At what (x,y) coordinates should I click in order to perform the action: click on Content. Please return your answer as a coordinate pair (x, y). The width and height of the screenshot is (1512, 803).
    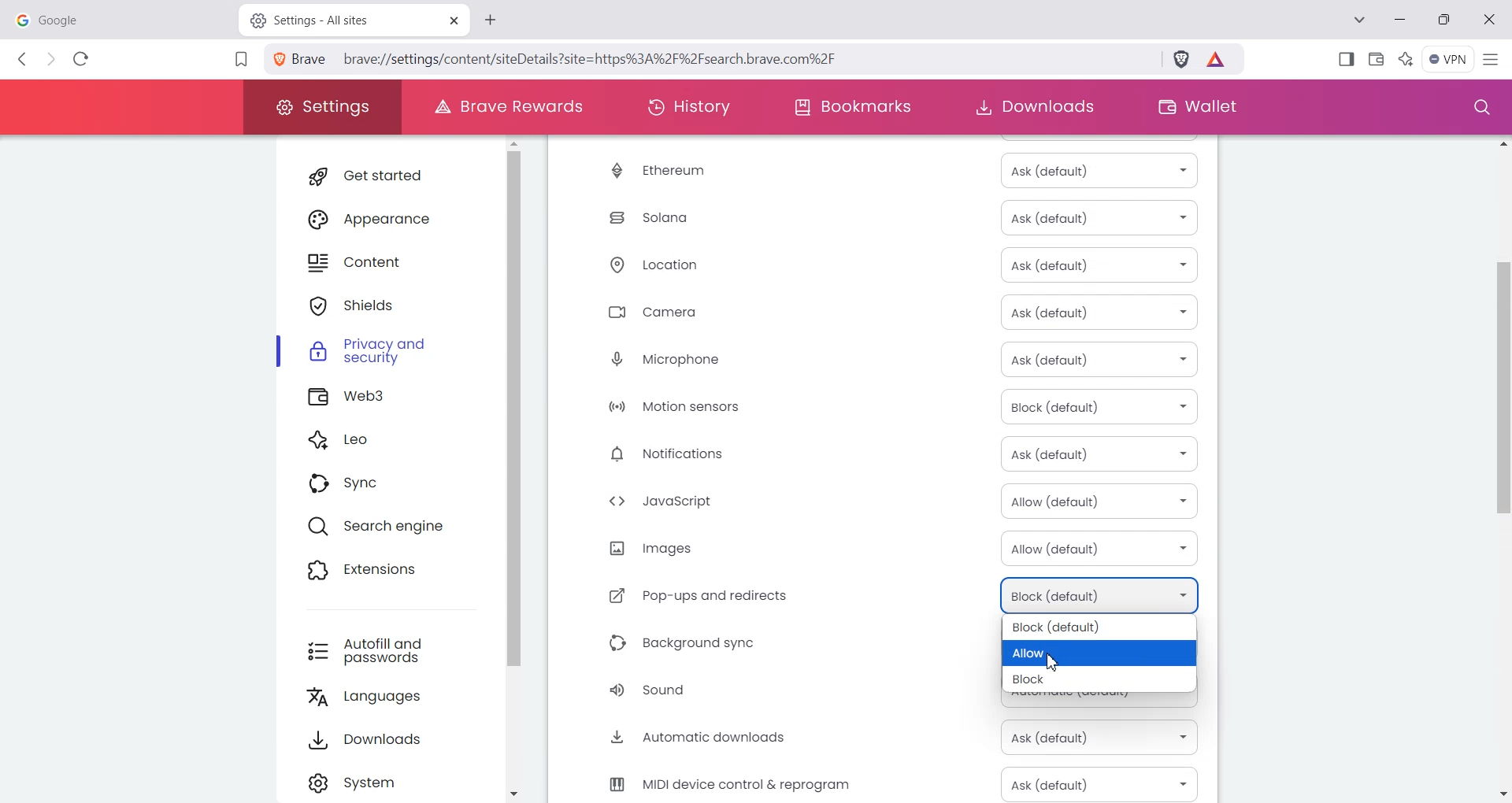
    Looking at the image, I should click on (388, 263).